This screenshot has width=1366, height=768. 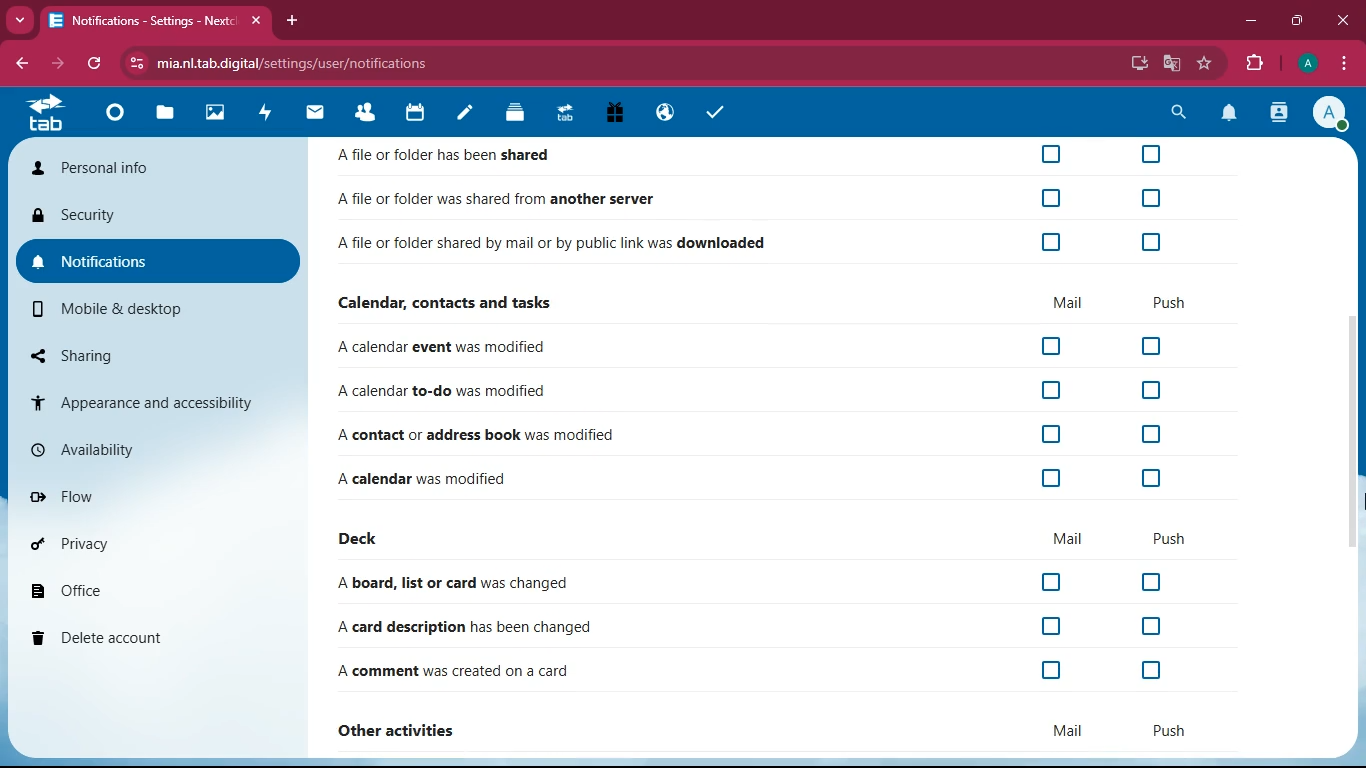 I want to click on off, so click(x=1052, y=671).